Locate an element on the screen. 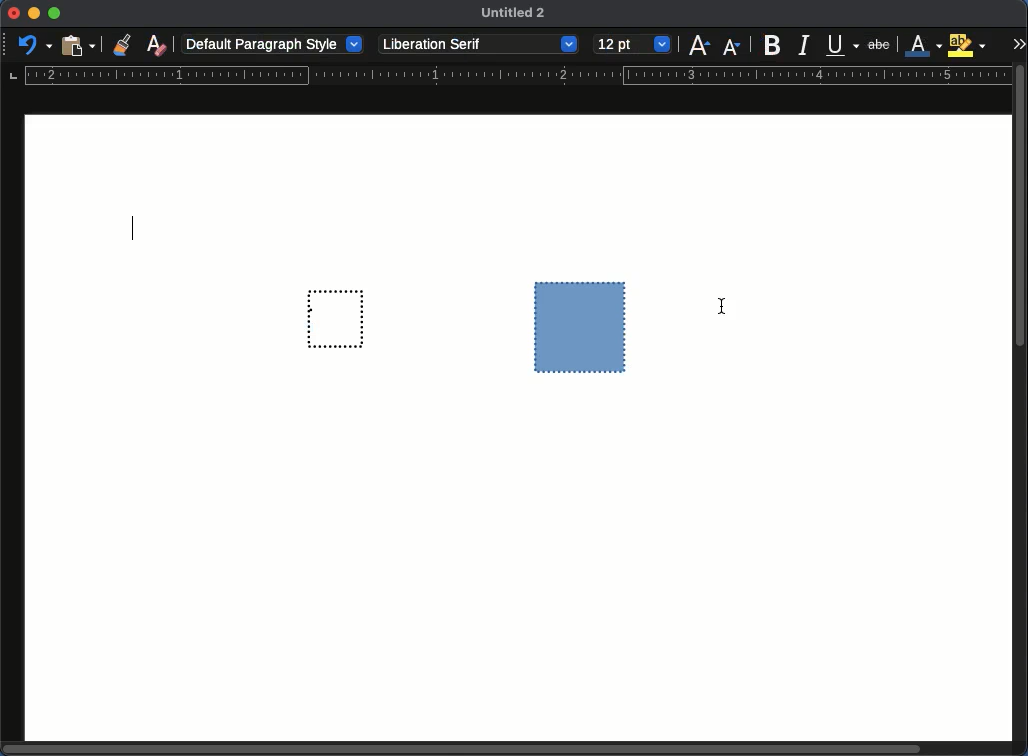 The height and width of the screenshot is (756, 1028). maximize is located at coordinates (55, 13).